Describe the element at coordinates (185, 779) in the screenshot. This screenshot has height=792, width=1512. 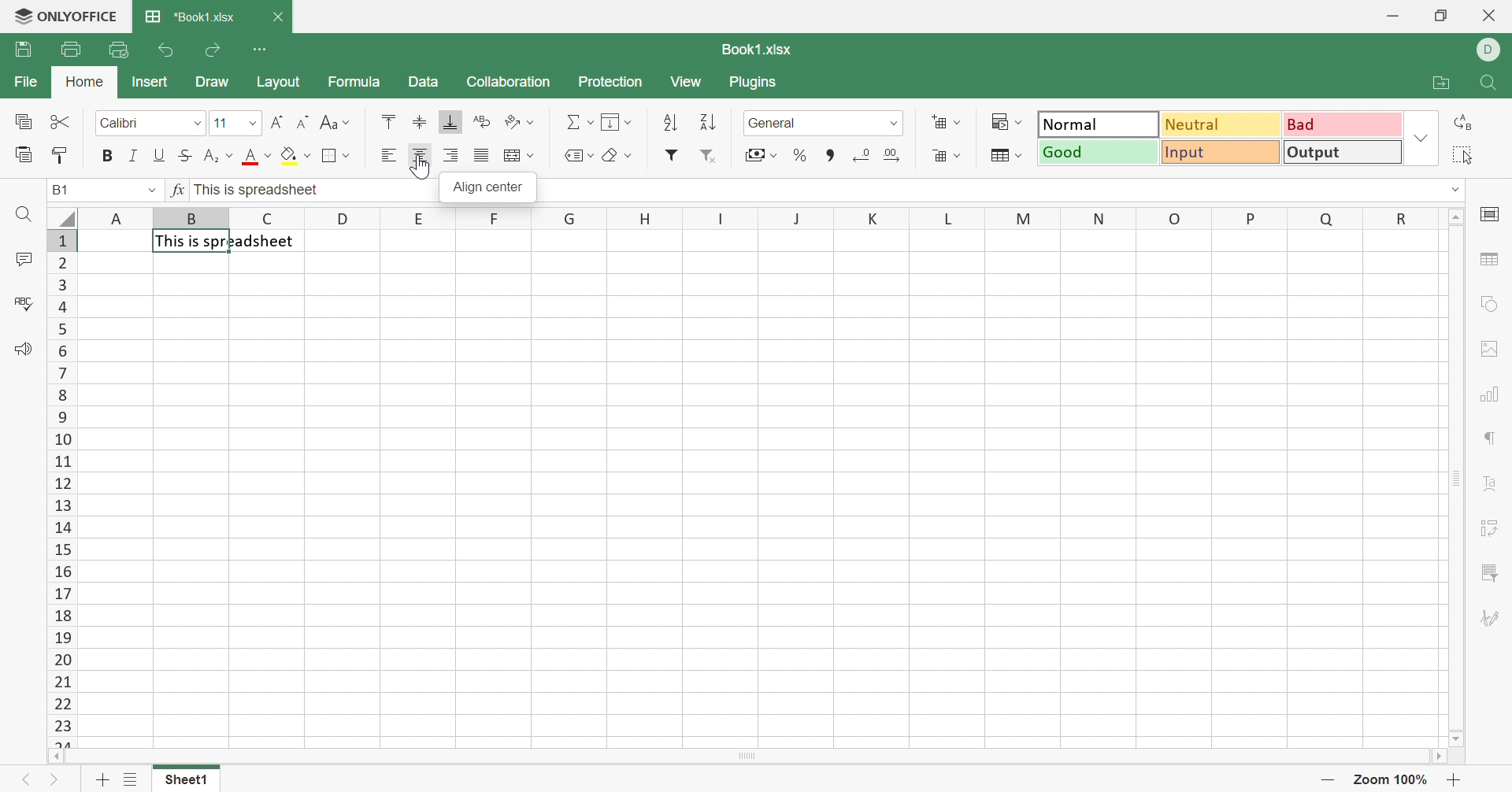
I see `Sheet1` at that location.